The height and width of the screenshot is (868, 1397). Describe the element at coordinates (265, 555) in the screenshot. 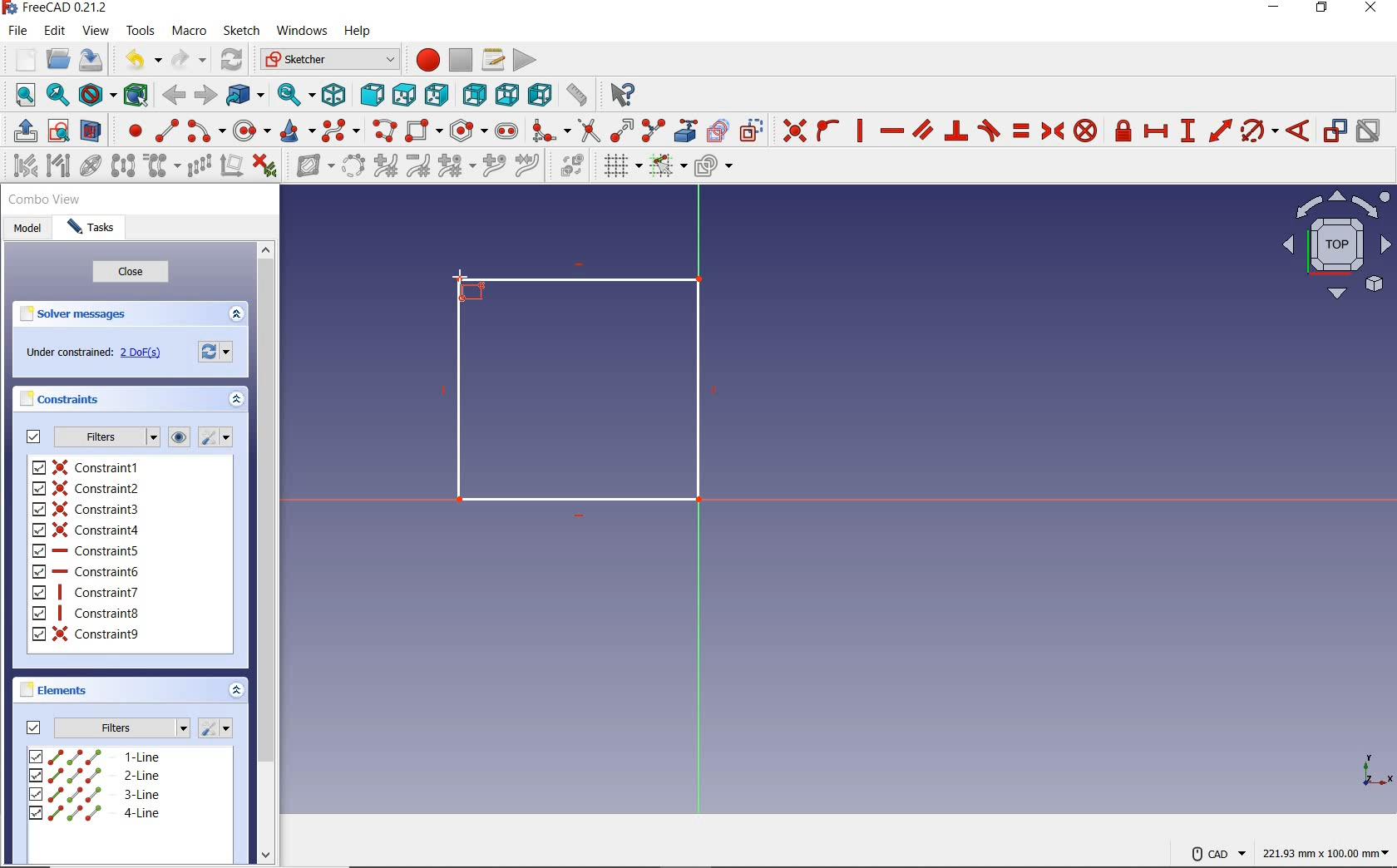

I see `scrollbar` at that location.